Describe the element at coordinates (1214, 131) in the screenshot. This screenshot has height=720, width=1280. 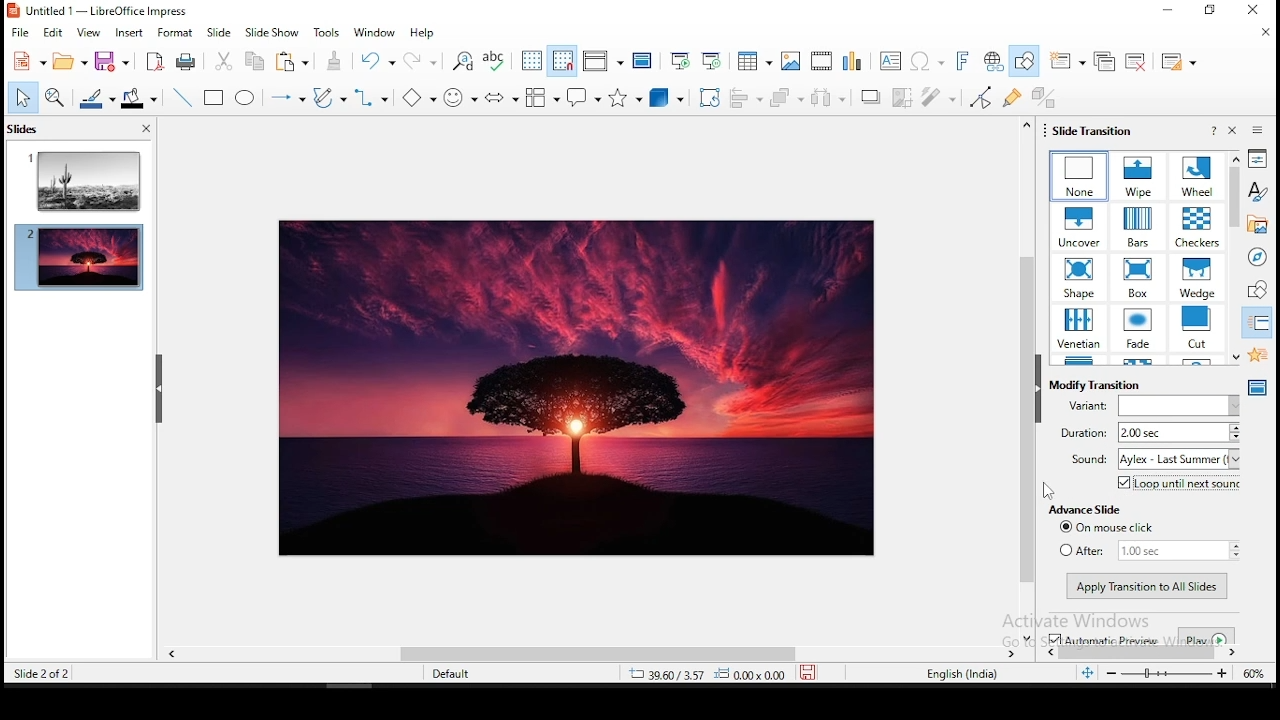
I see `help` at that location.